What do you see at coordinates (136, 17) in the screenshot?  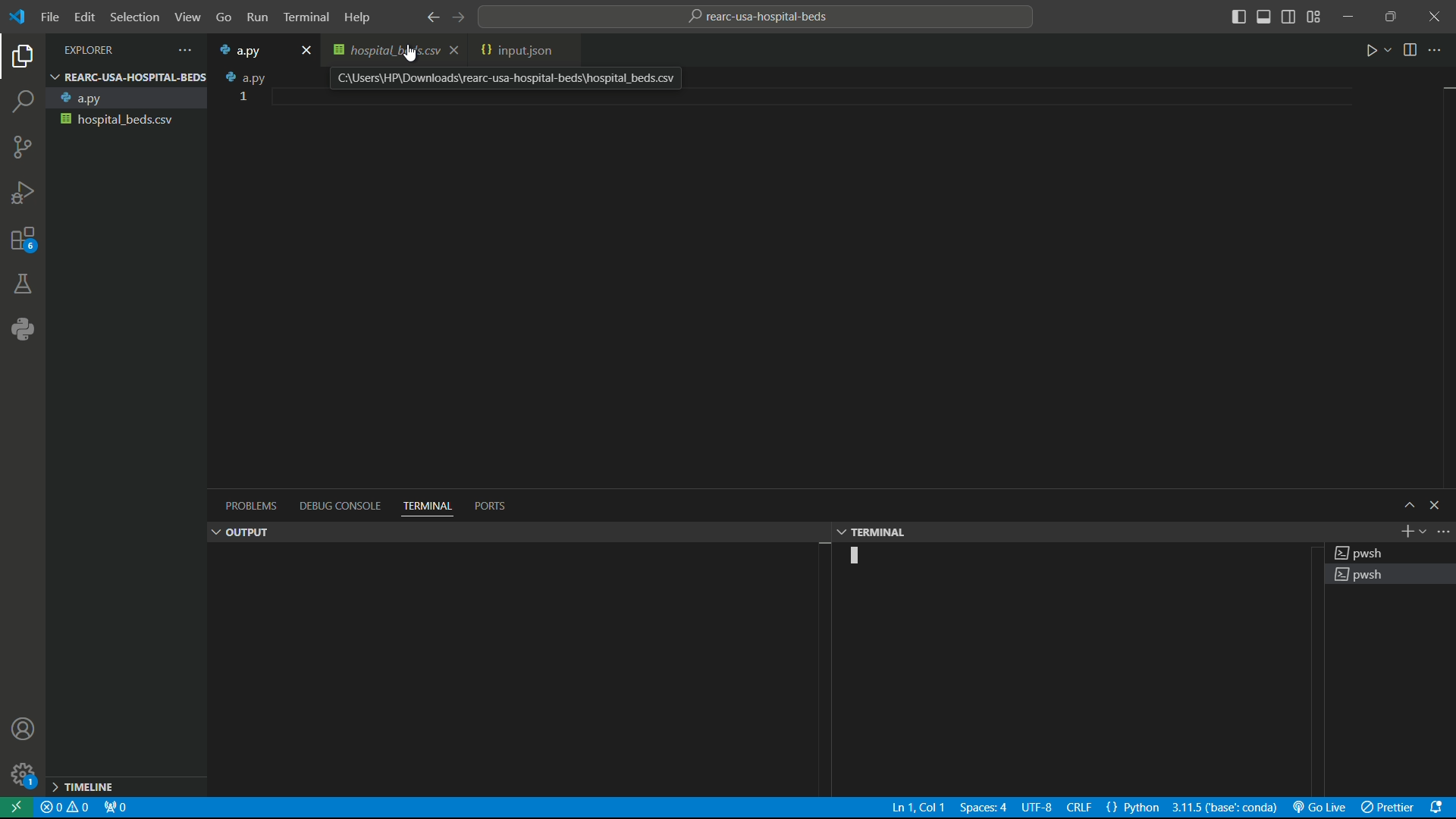 I see `selection menu` at bounding box center [136, 17].